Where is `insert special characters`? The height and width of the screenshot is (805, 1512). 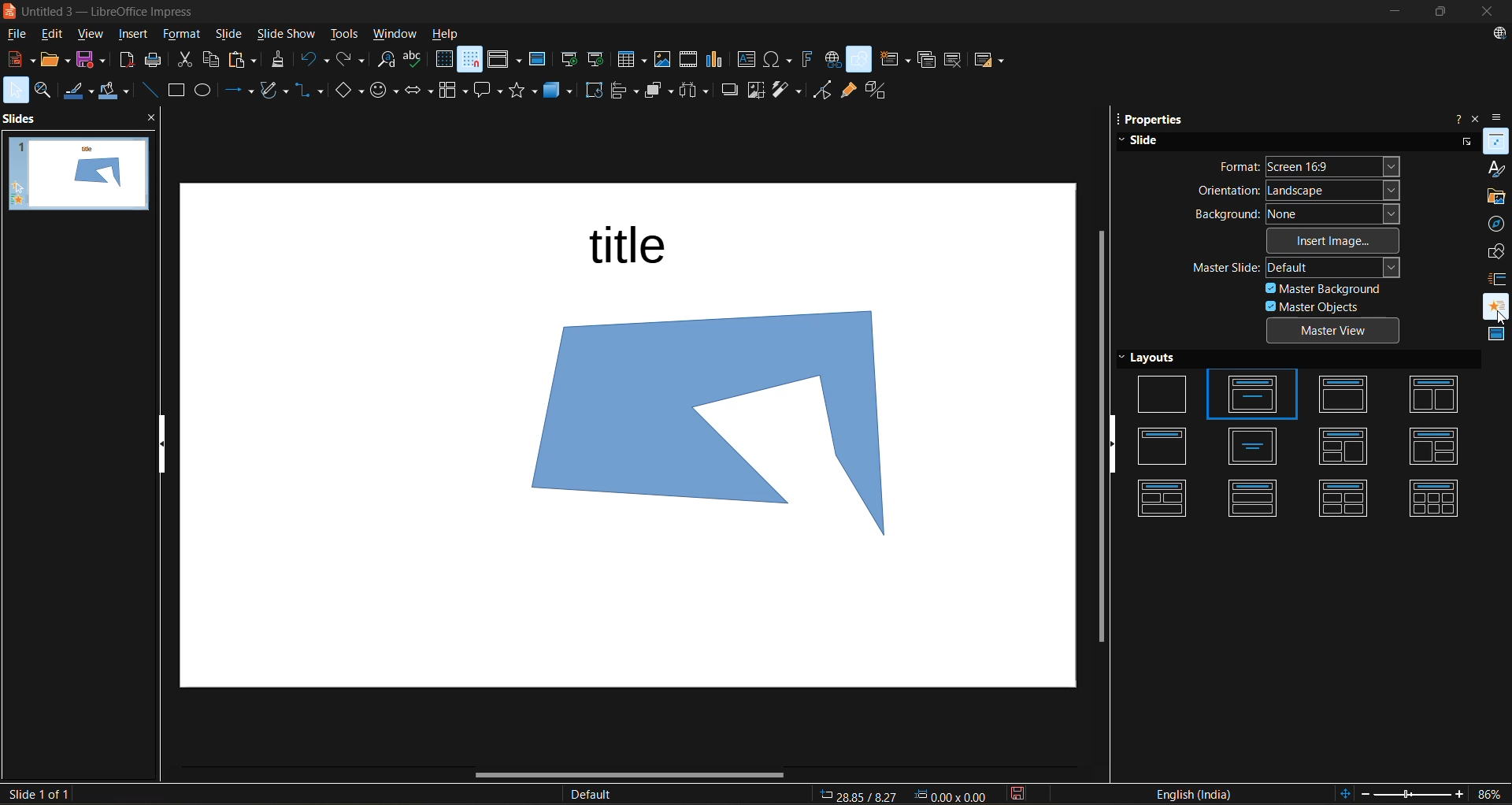 insert special characters is located at coordinates (779, 61).